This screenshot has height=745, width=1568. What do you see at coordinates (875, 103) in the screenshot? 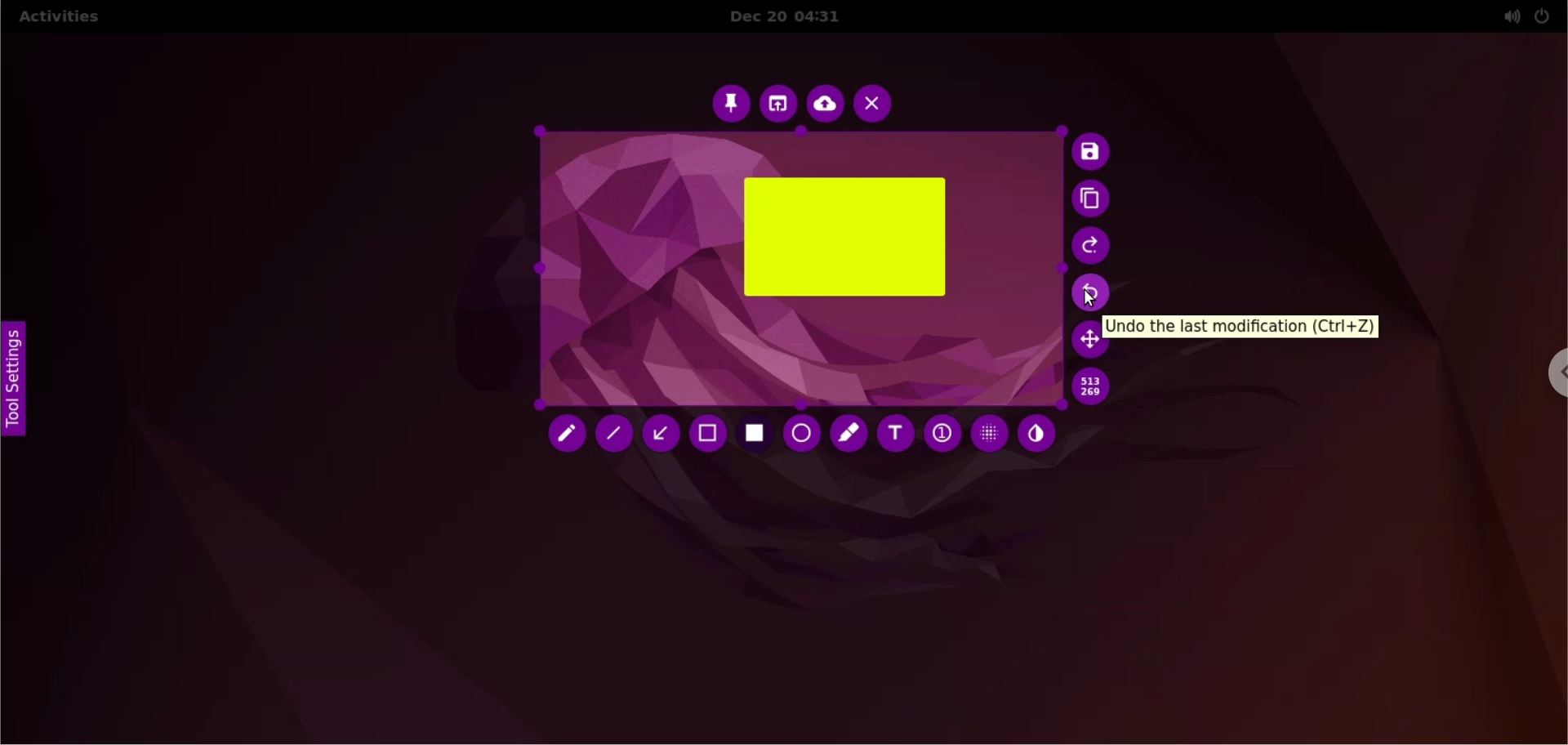
I see `cancel capture` at bounding box center [875, 103].